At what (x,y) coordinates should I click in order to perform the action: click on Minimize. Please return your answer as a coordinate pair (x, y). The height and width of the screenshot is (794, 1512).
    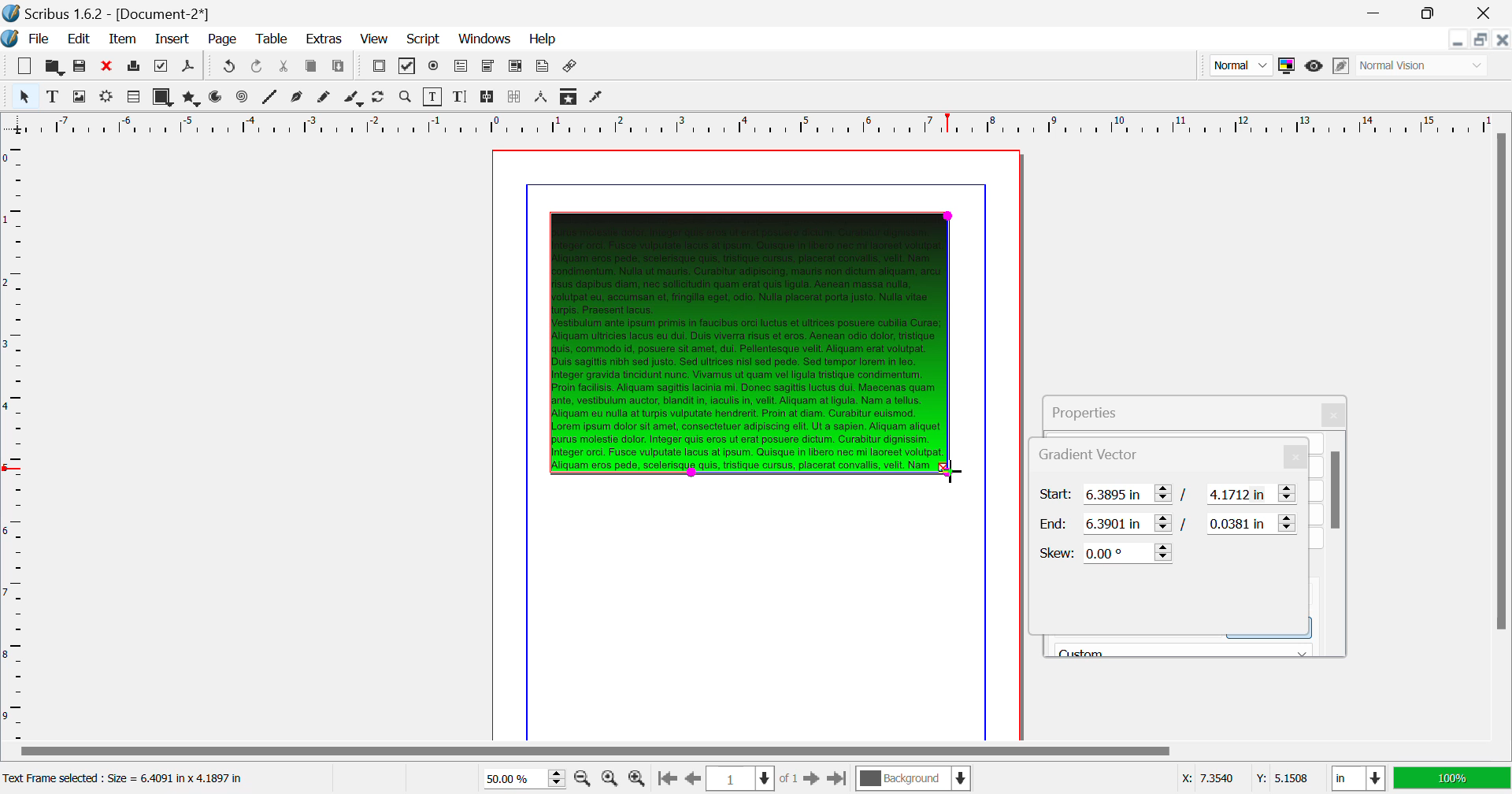
    Looking at the image, I should click on (1432, 13).